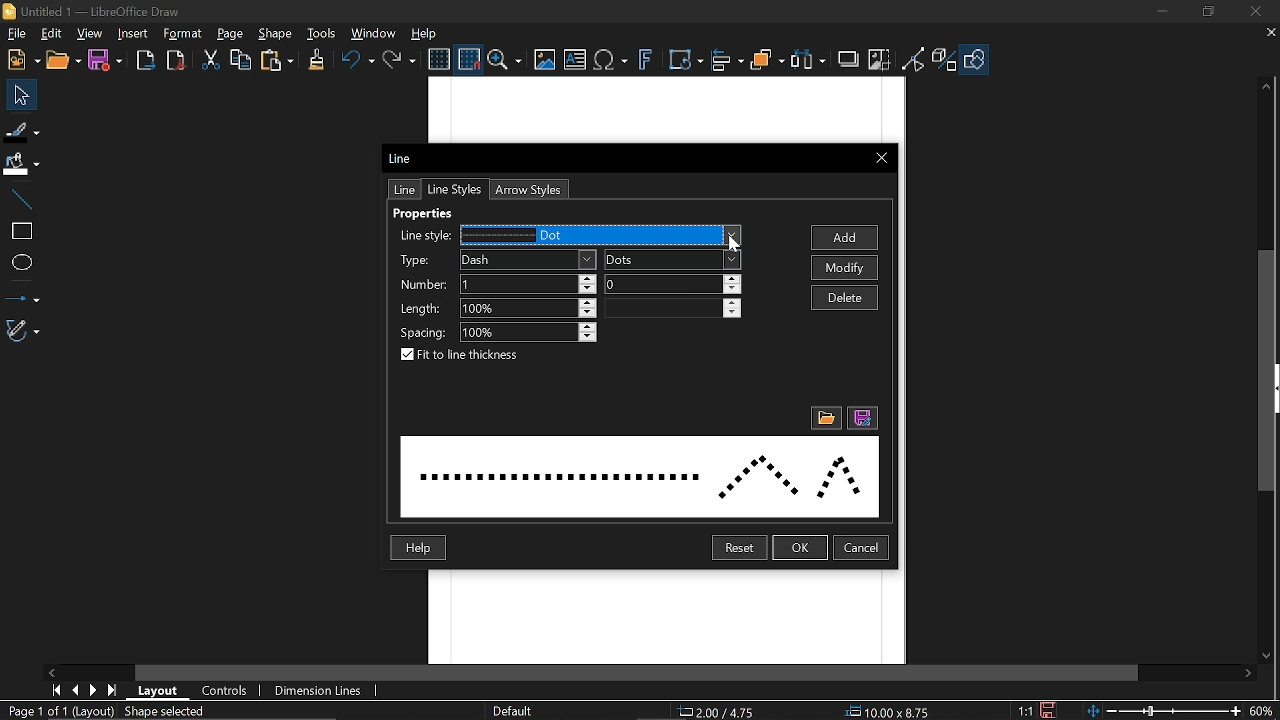  Describe the element at coordinates (17, 94) in the screenshot. I see `Move` at that location.